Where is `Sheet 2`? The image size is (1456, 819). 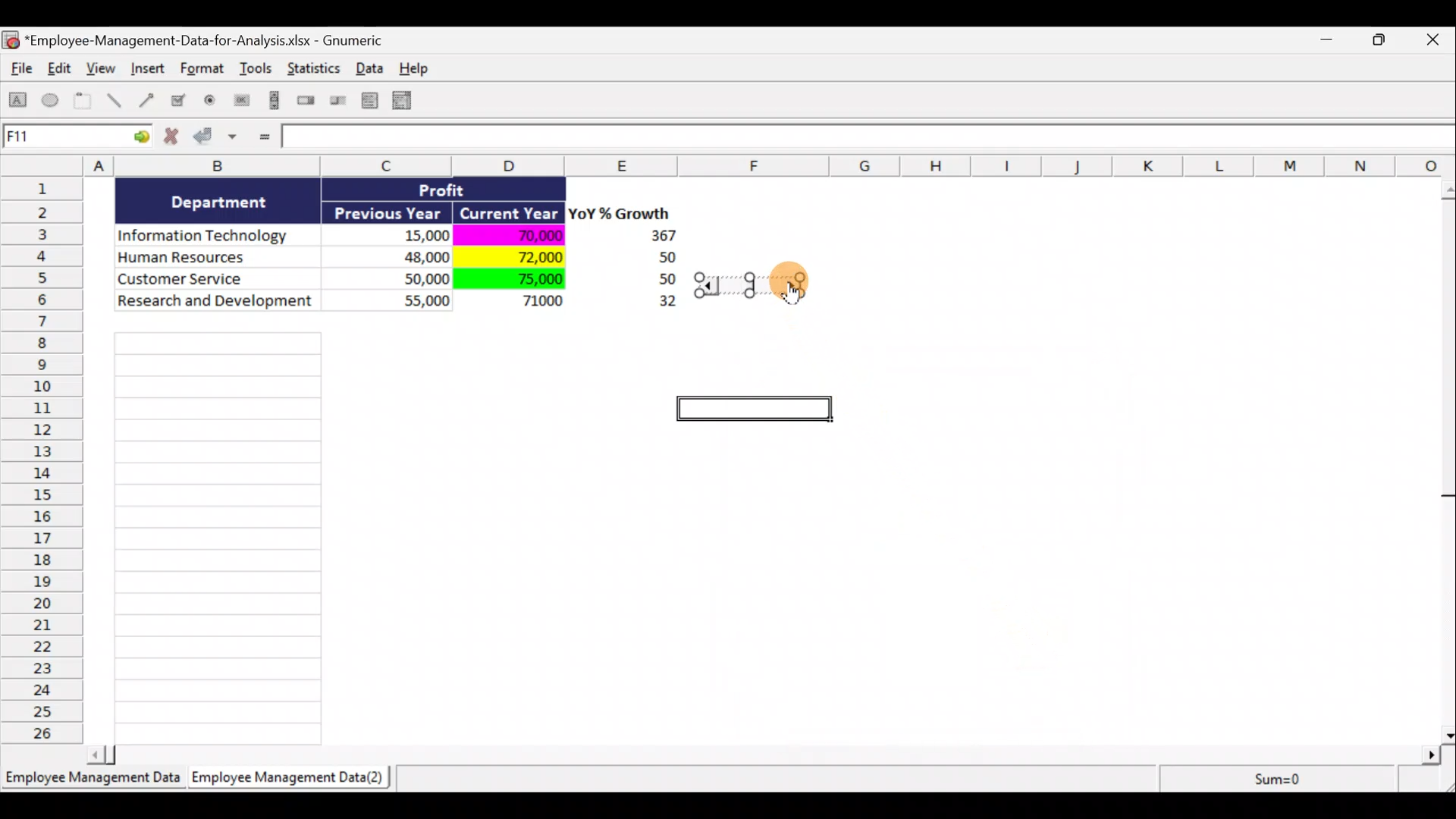
Sheet 2 is located at coordinates (292, 781).